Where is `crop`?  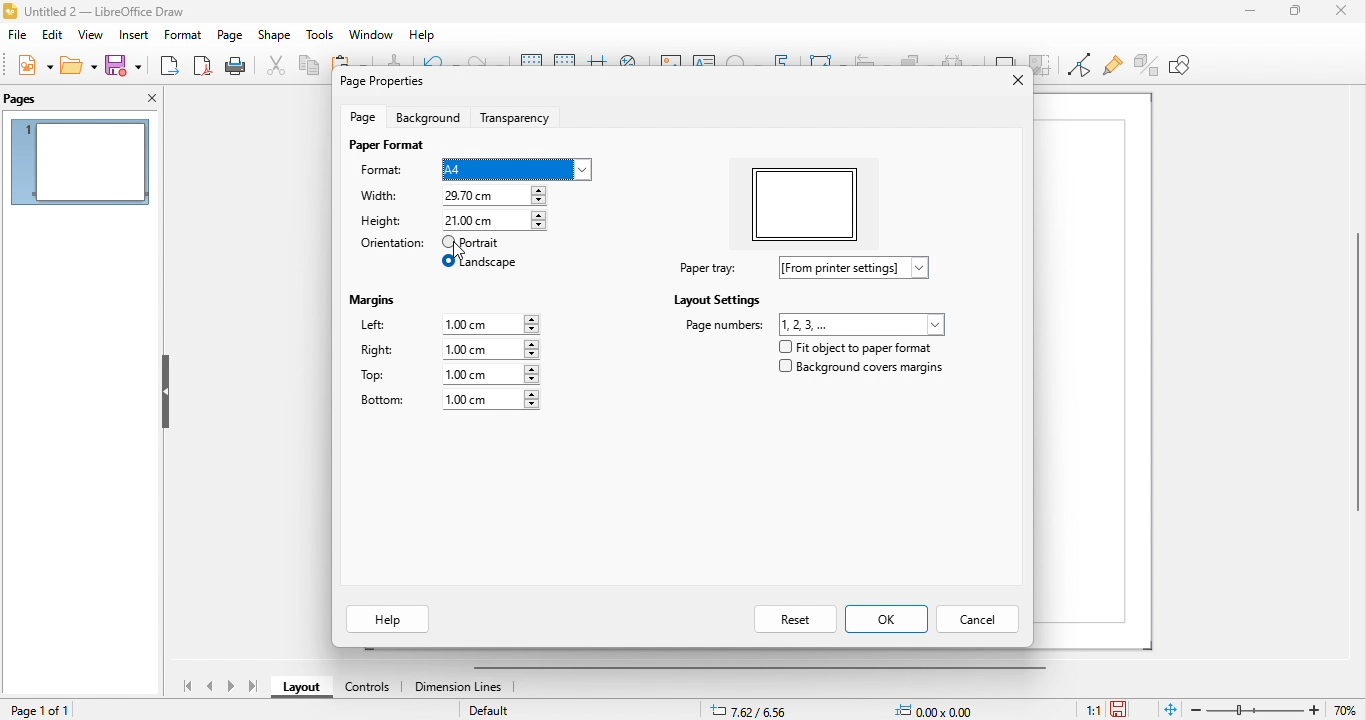
crop is located at coordinates (1042, 61).